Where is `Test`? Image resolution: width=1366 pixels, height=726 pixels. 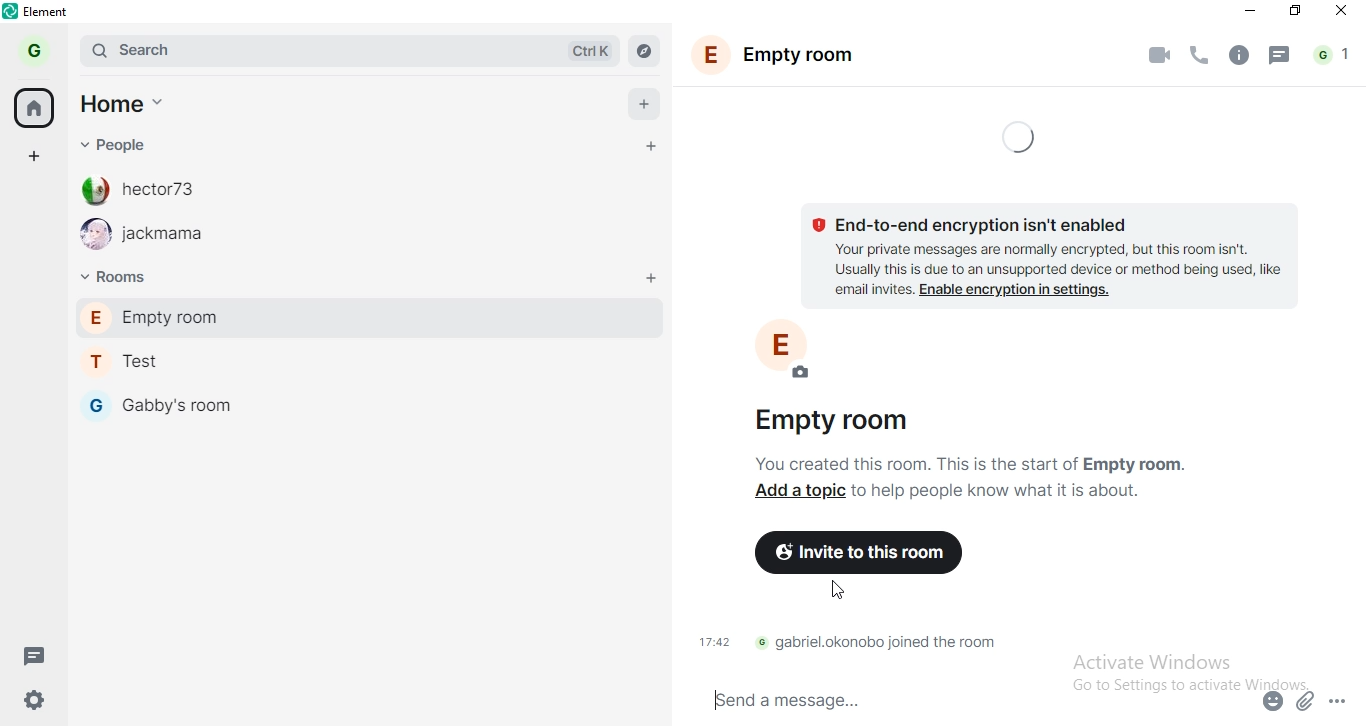 Test is located at coordinates (139, 364).